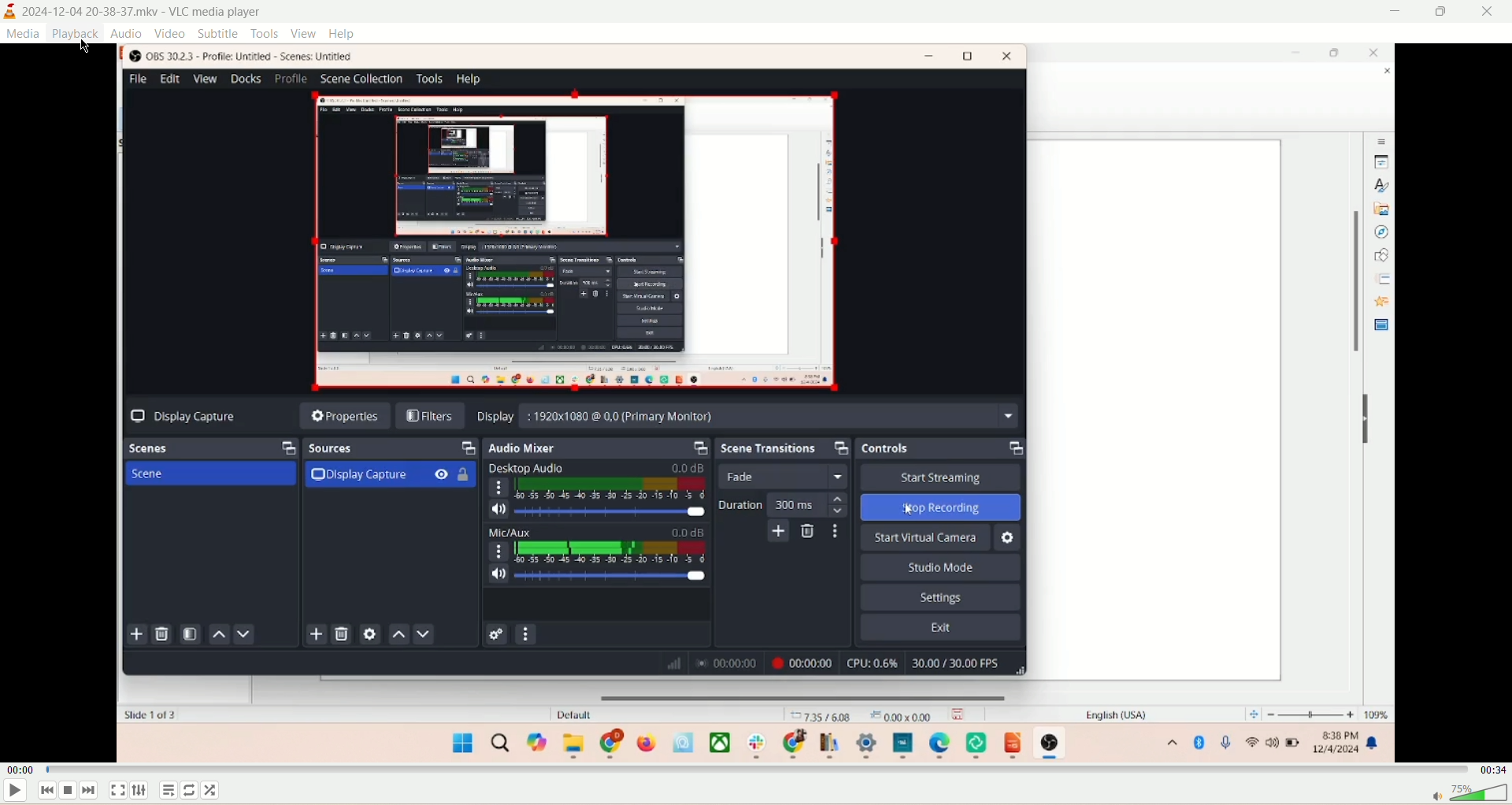 The height and width of the screenshot is (805, 1512). I want to click on tools, so click(265, 34).